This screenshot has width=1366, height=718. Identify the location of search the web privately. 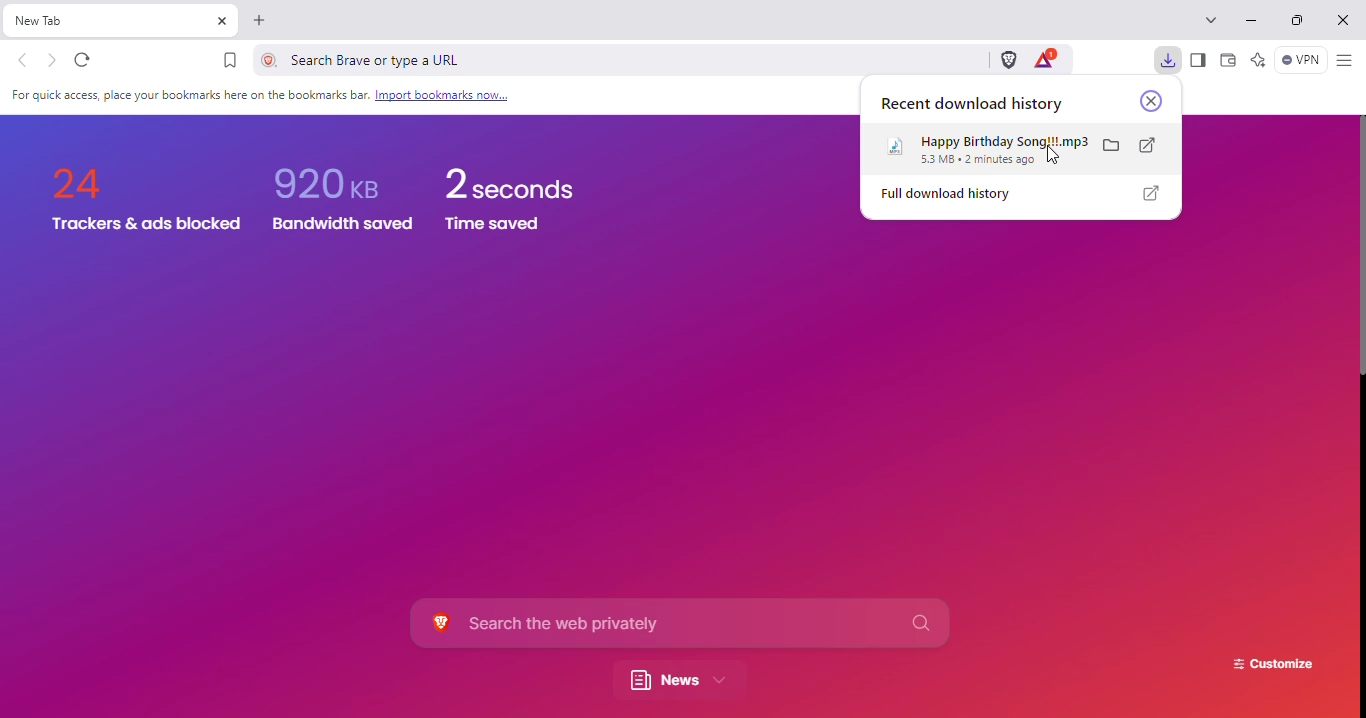
(679, 623).